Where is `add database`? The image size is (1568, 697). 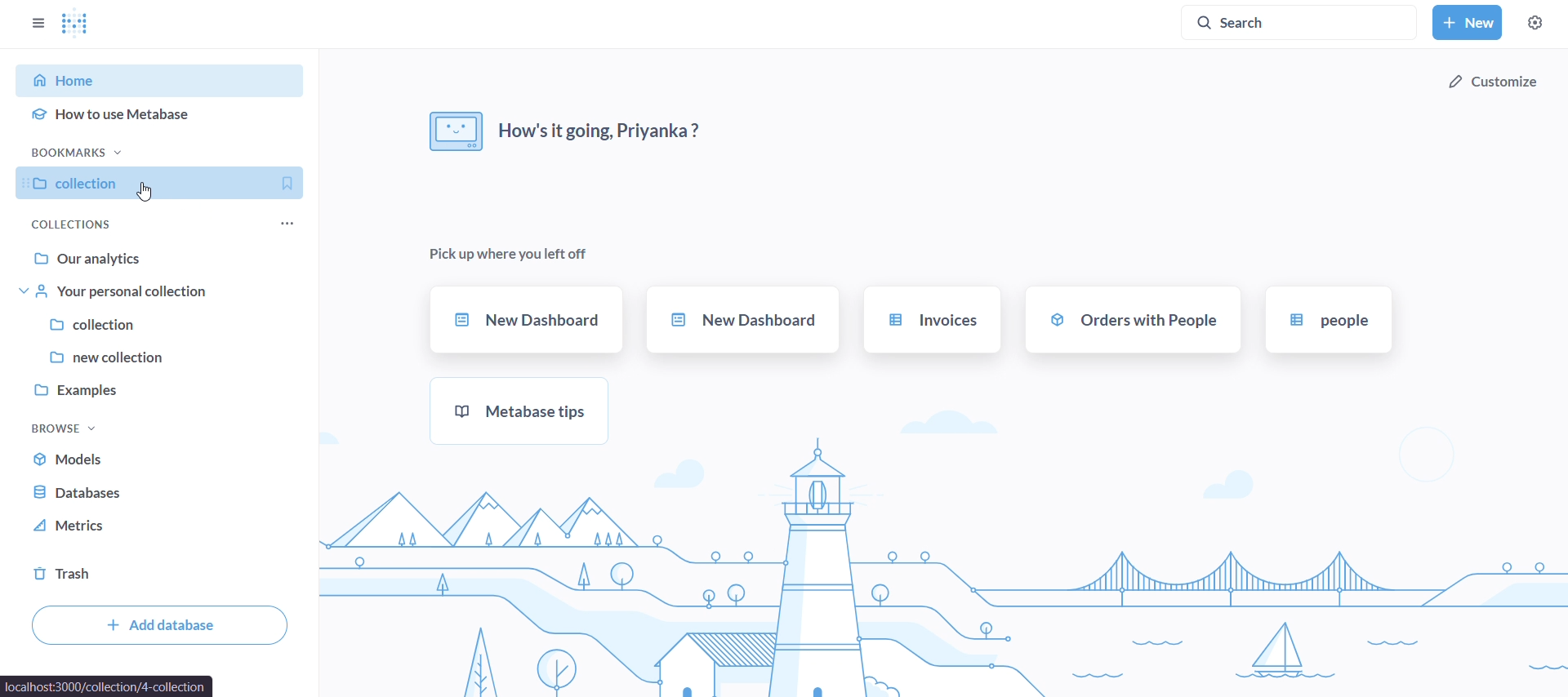
add database is located at coordinates (163, 625).